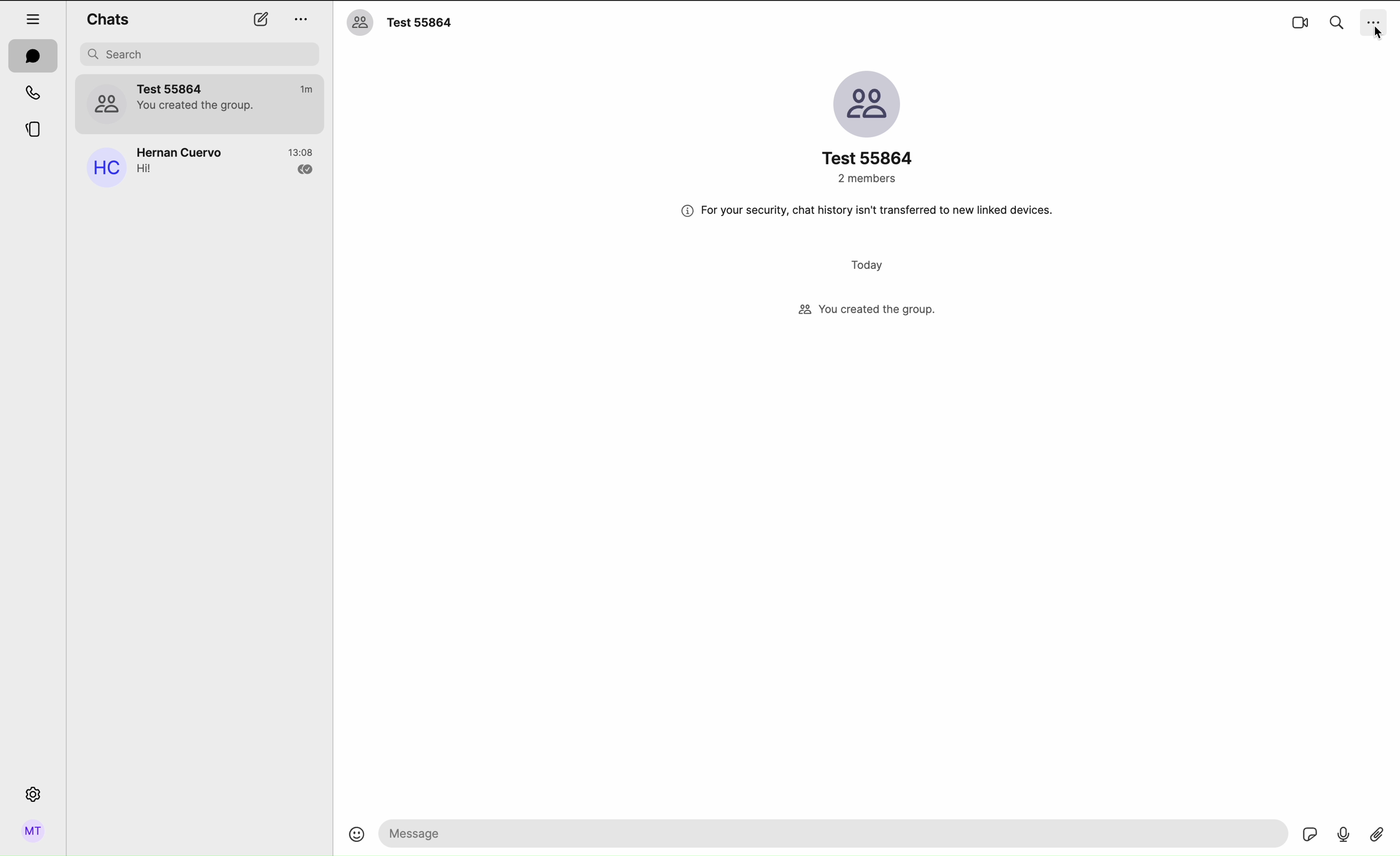 This screenshot has width=1400, height=856. Describe the element at coordinates (834, 834) in the screenshot. I see `space to write` at that location.